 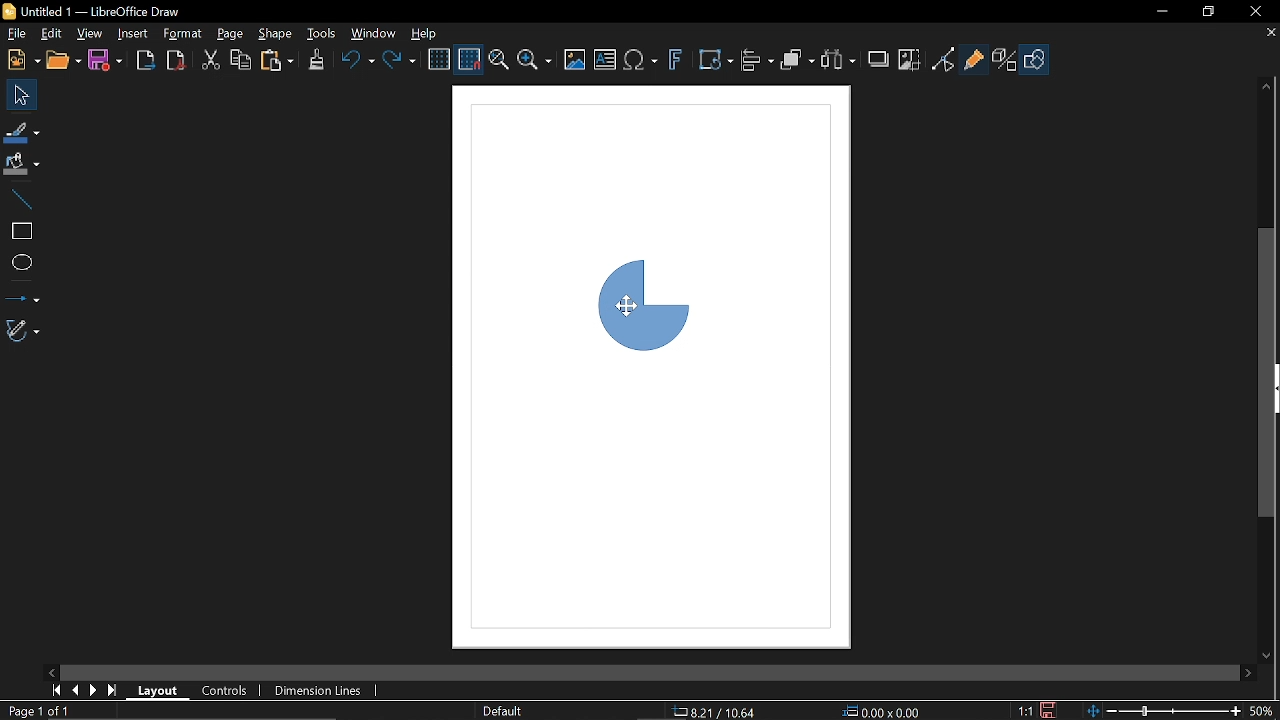 What do you see at coordinates (23, 332) in the screenshot?
I see `Curves and polygons` at bounding box center [23, 332].